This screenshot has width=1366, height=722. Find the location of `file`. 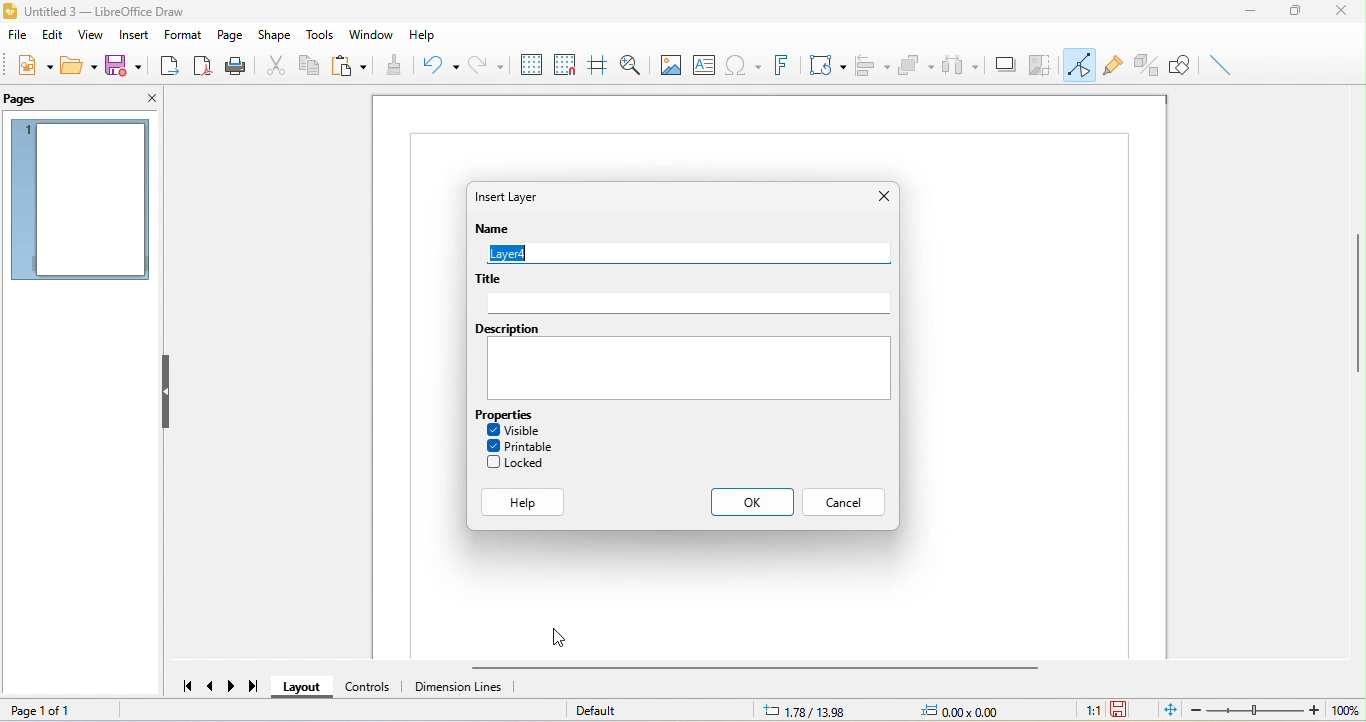

file is located at coordinates (17, 36).